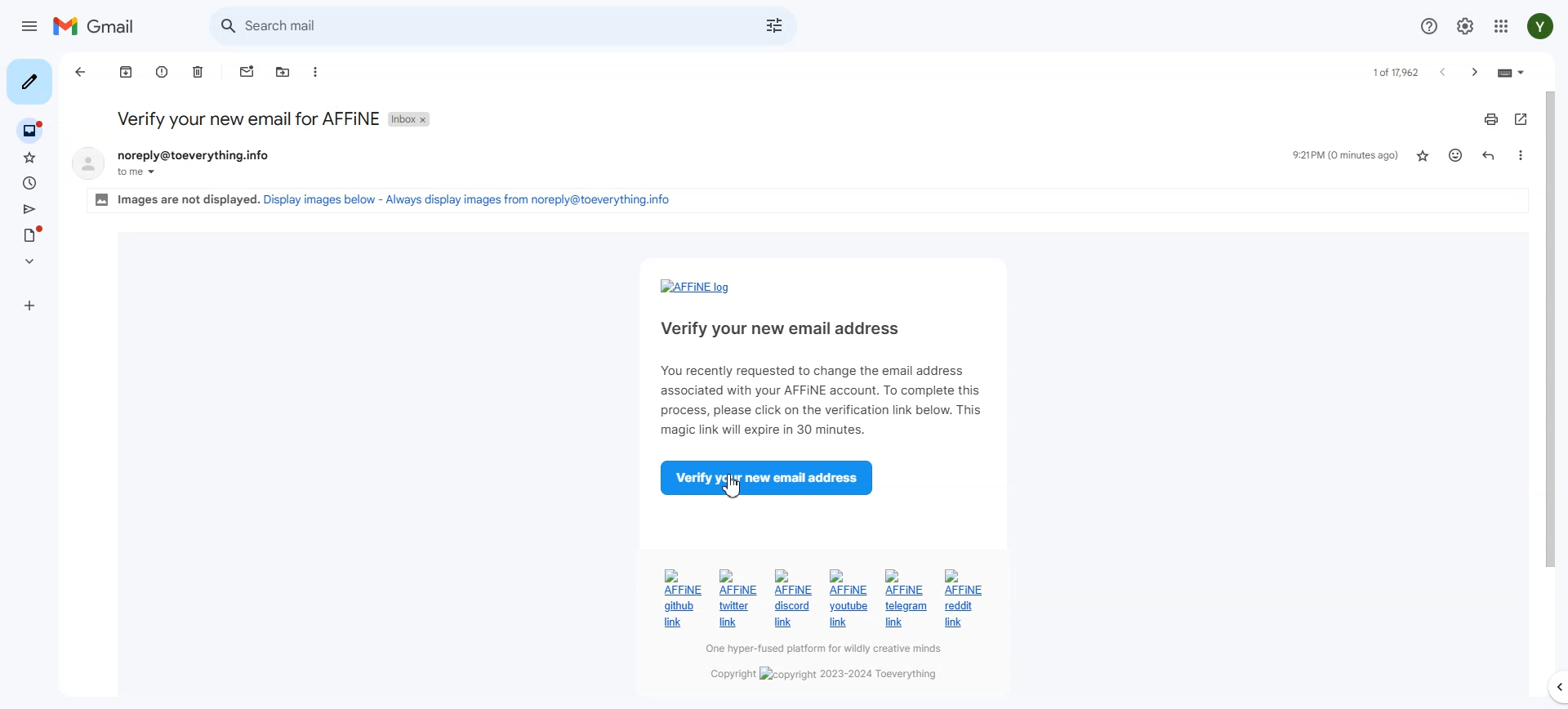  What do you see at coordinates (1342, 155) in the screenshot?
I see `Last checked` at bounding box center [1342, 155].